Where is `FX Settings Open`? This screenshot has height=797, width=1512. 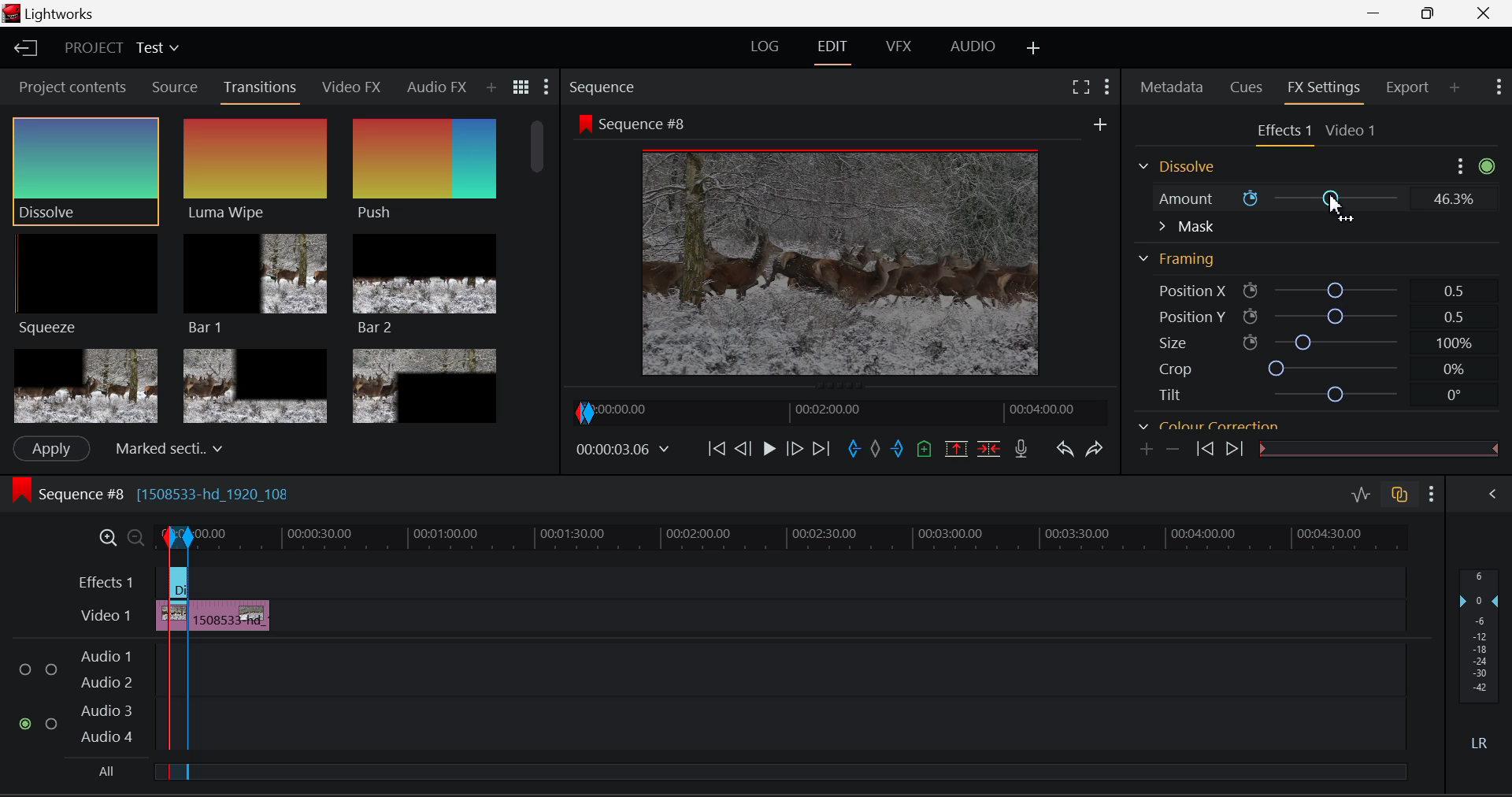 FX Settings Open is located at coordinates (1327, 89).